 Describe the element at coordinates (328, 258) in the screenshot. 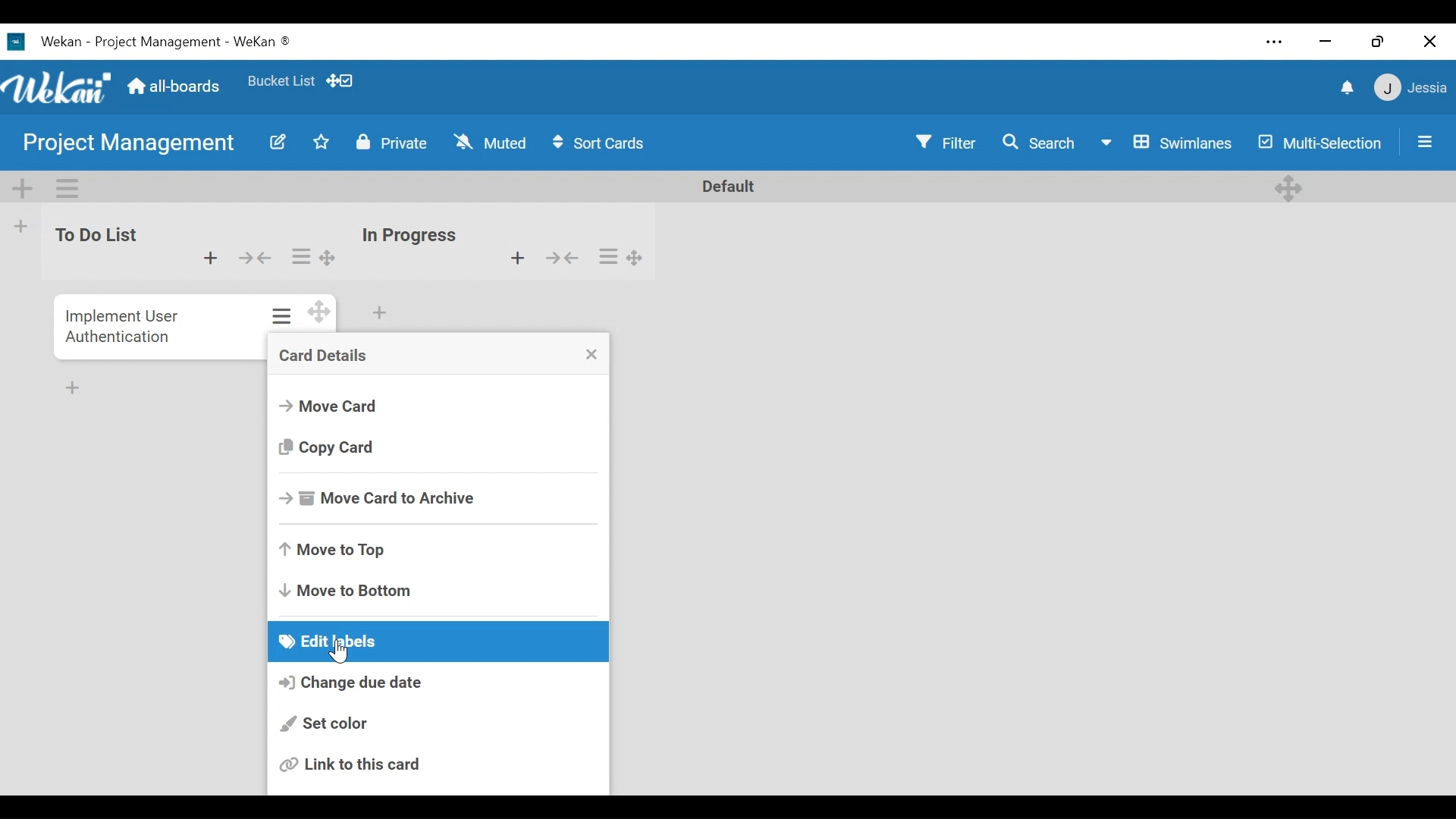

I see `desktop drag handles` at that location.